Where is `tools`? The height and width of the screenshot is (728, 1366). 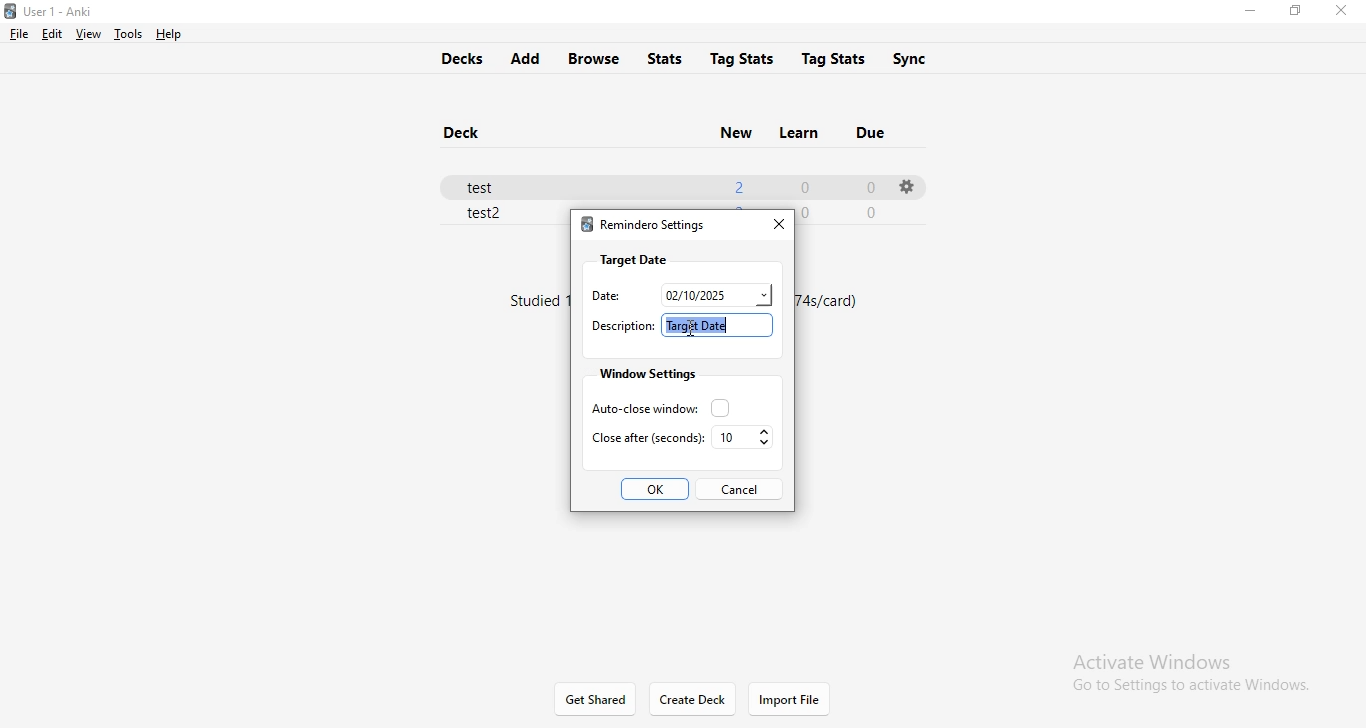 tools is located at coordinates (125, 34).